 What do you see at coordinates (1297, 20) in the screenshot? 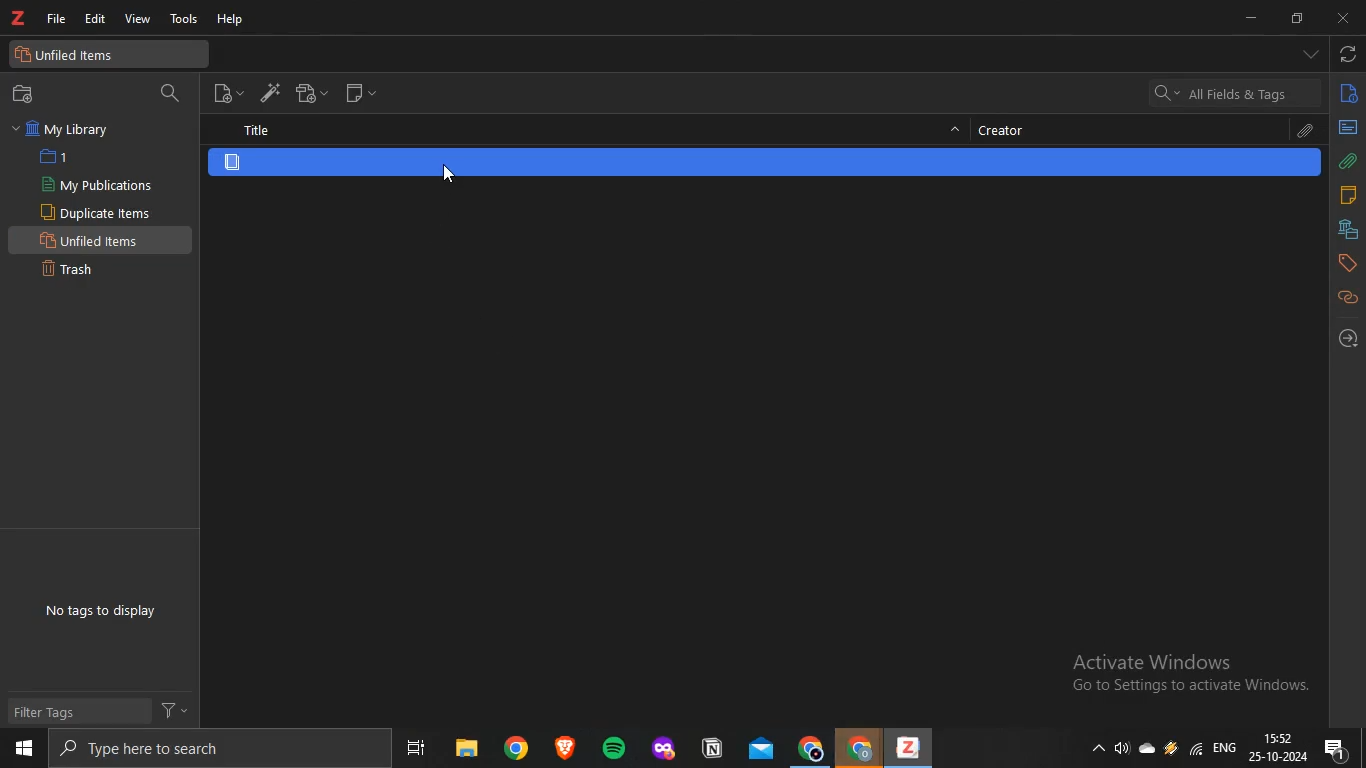
I see `restore down` at bounding box center [1297, 20].